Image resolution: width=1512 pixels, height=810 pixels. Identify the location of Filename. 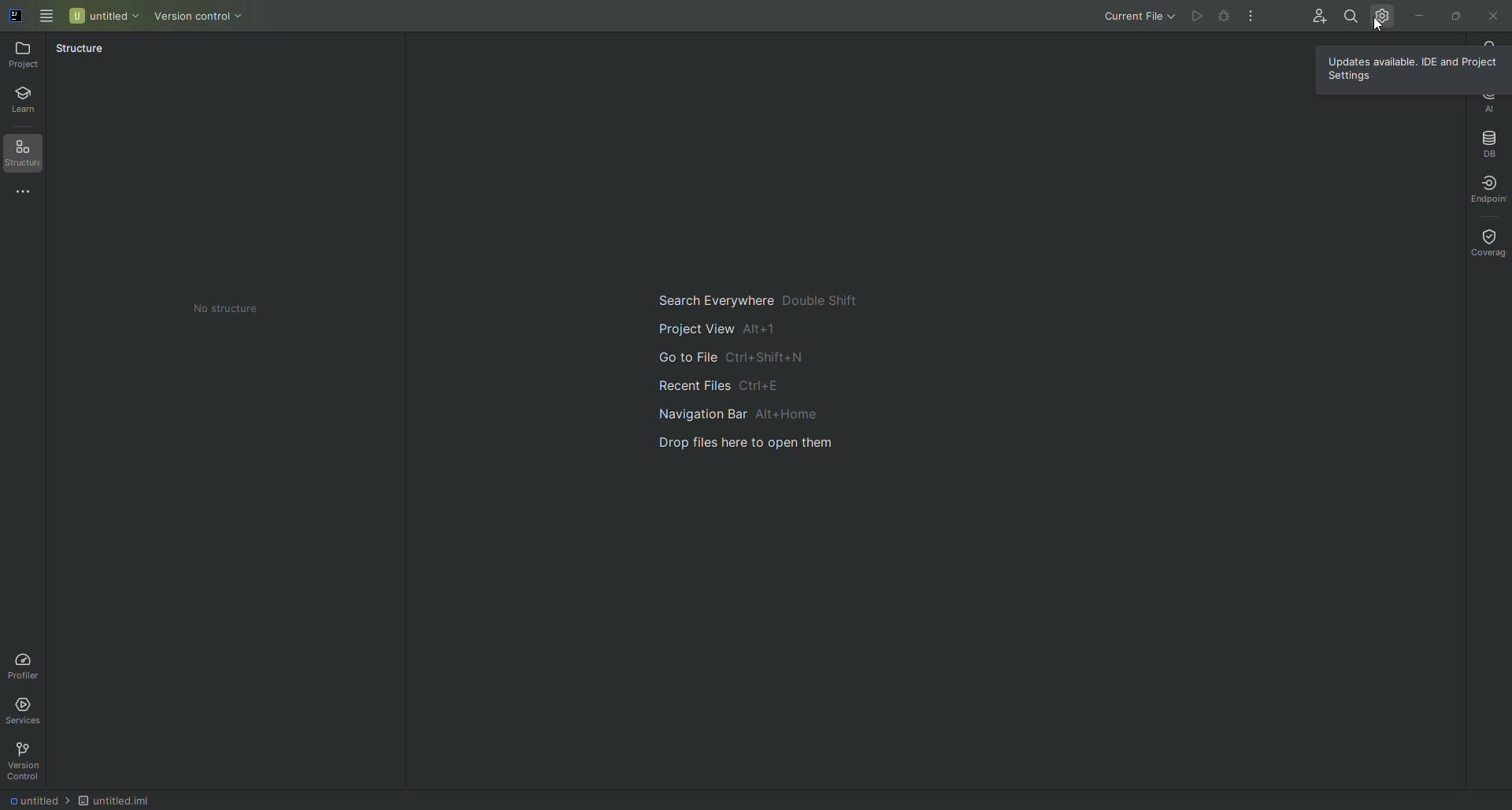
(35, 802).